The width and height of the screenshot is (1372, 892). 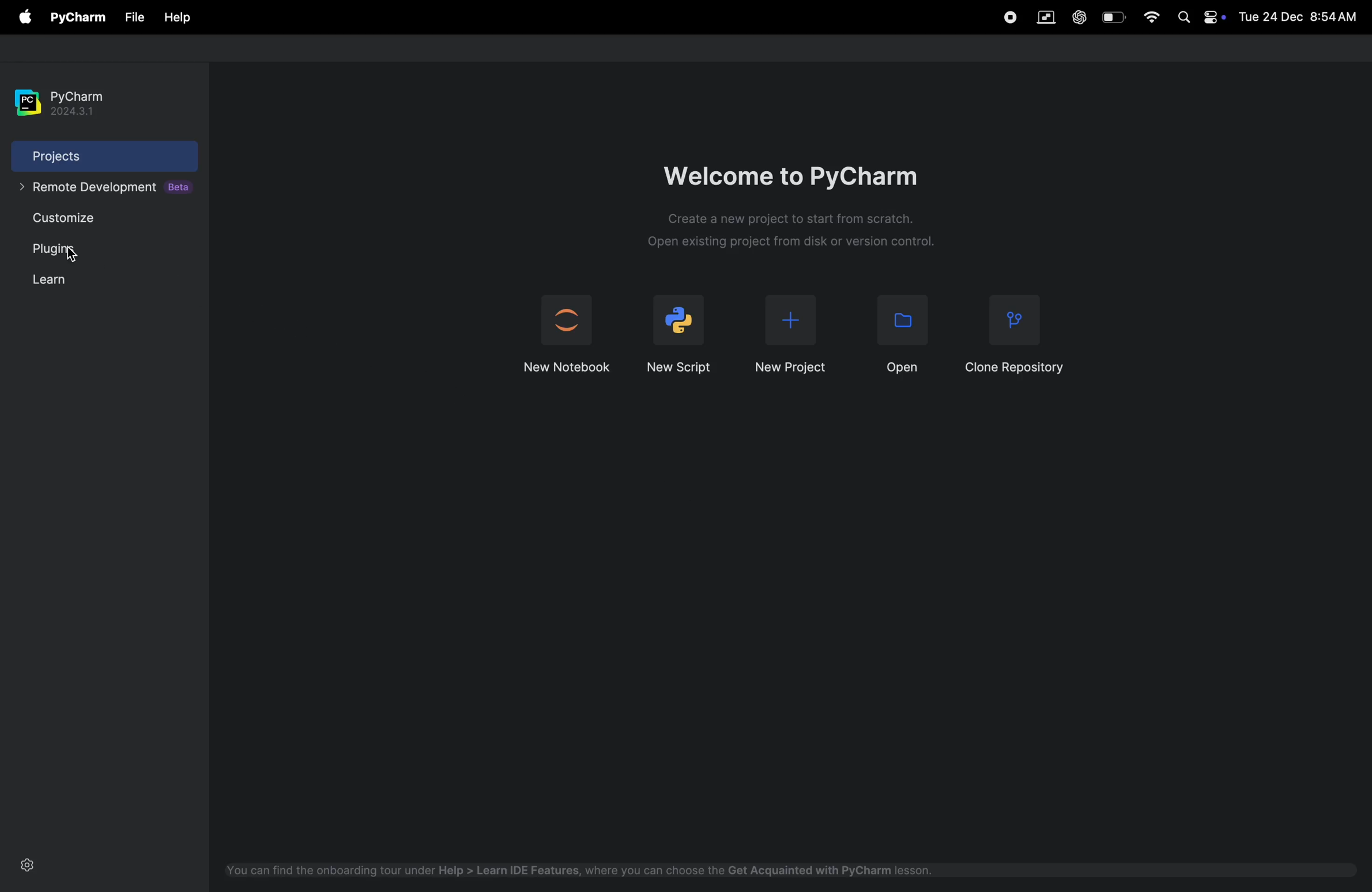 I want to click on Welcome to pycharm, so click(x=796, y=171).